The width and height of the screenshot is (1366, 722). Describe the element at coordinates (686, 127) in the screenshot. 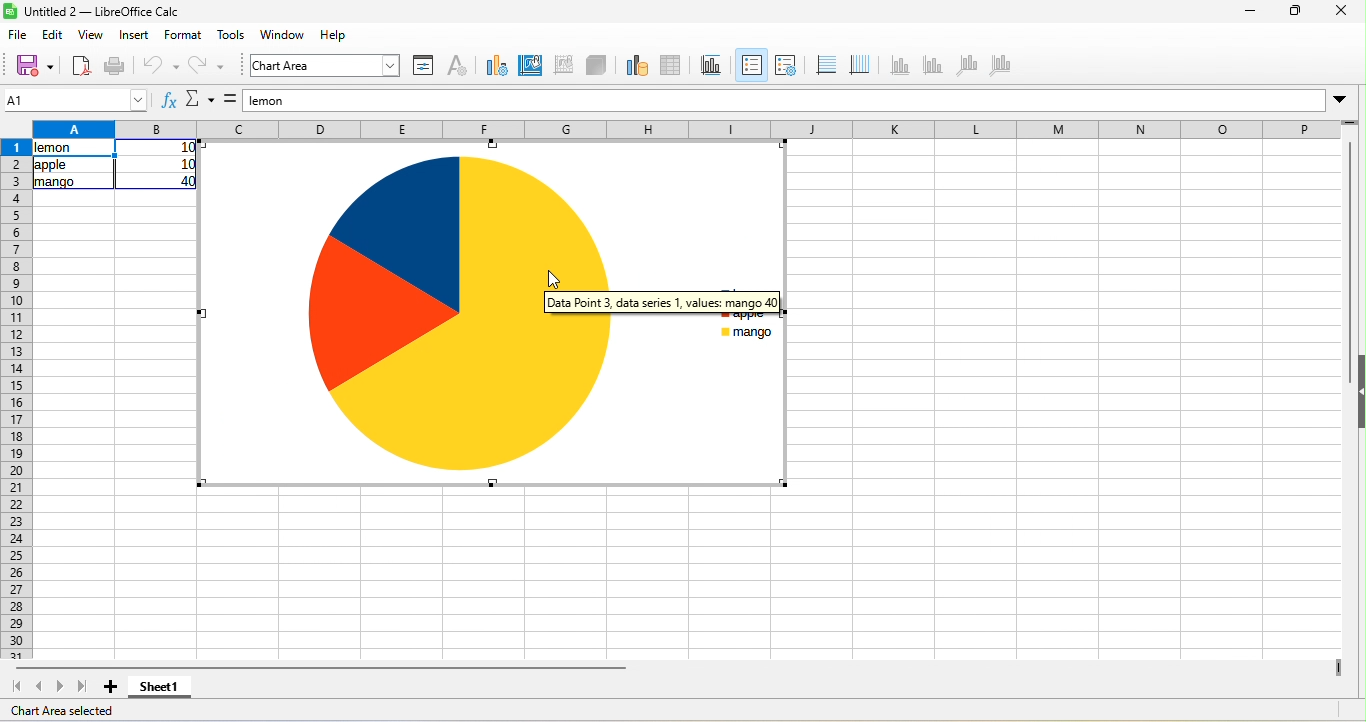

I see `column headings` at that location.